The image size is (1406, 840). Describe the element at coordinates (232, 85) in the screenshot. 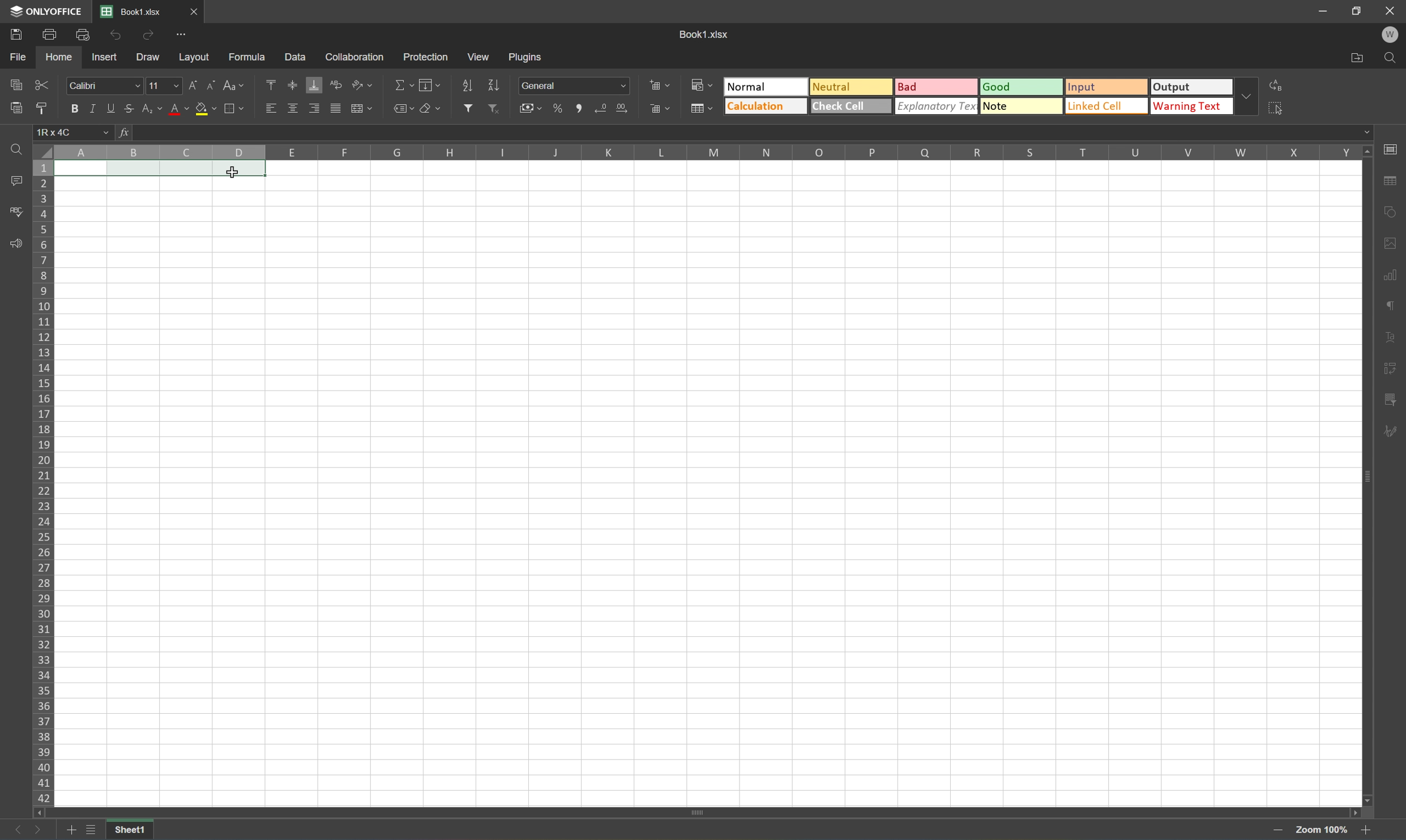

I see `Change case` at that location.